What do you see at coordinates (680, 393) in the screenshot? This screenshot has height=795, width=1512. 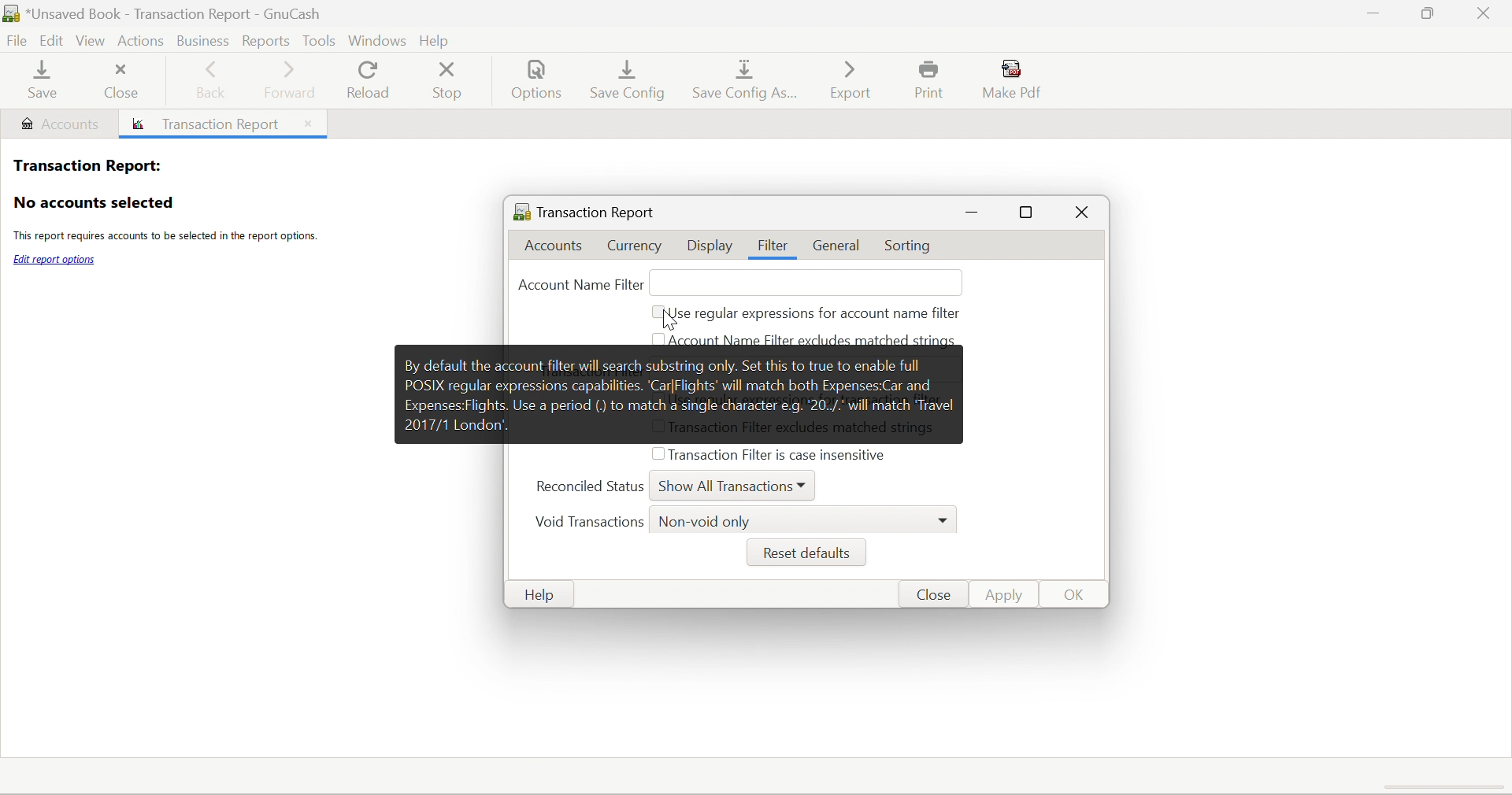 I see `By default the account filter will search substring only. Set this to true to enable full POSIX regular expressions capabilities. 'Car|Flights' will match both Expenses:Car and Expenses:Flights. Use a period (.) to match a single character e.g., '20..' will match 'Travel 2017/1 London'.` at bounding box center [680, 393].